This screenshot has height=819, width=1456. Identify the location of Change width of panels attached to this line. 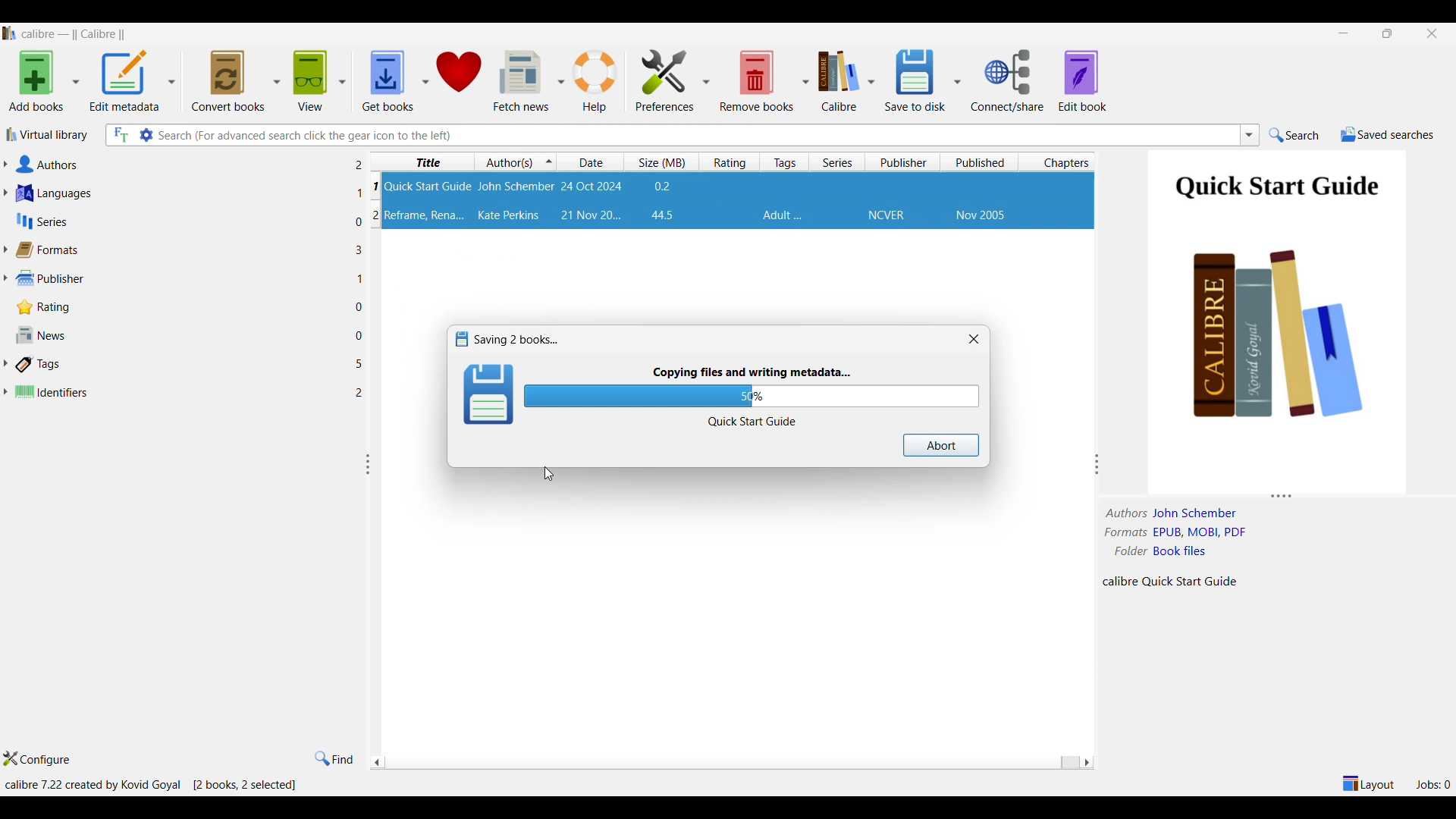
(1100, 464).